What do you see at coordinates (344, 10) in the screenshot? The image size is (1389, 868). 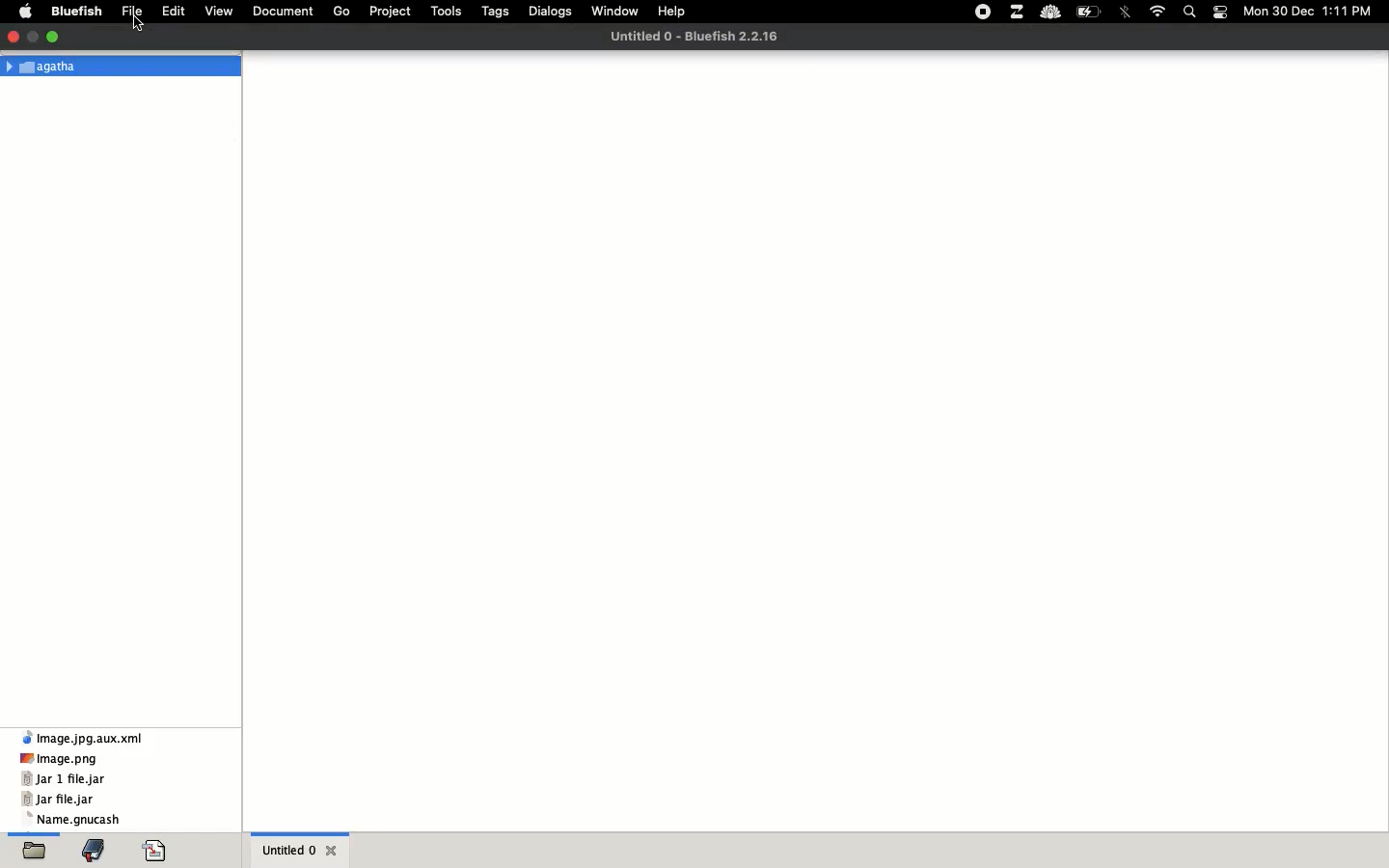 I see `go` at bounding box center [344, 10].